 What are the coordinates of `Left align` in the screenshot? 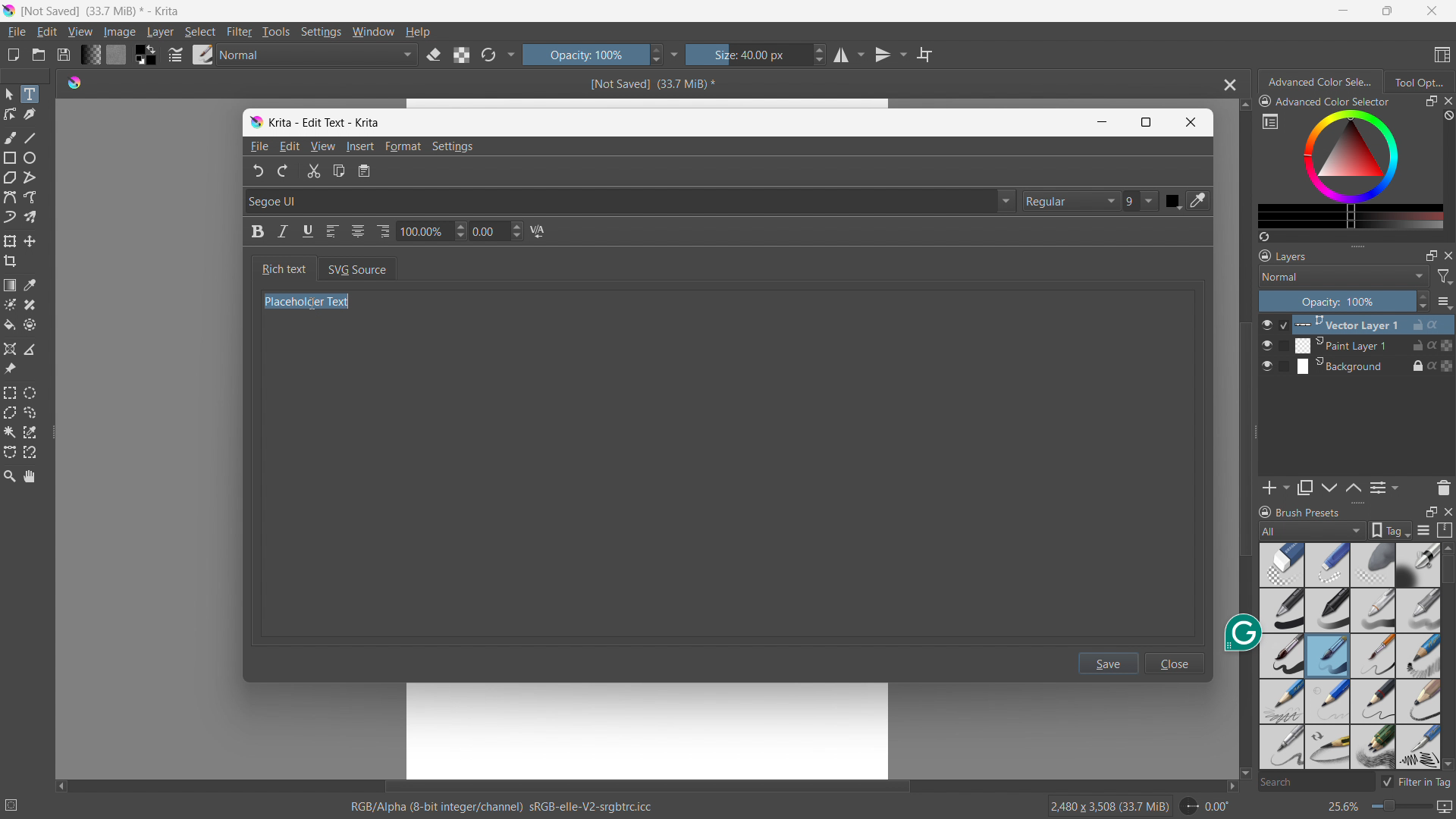 It's located at (334, 232).